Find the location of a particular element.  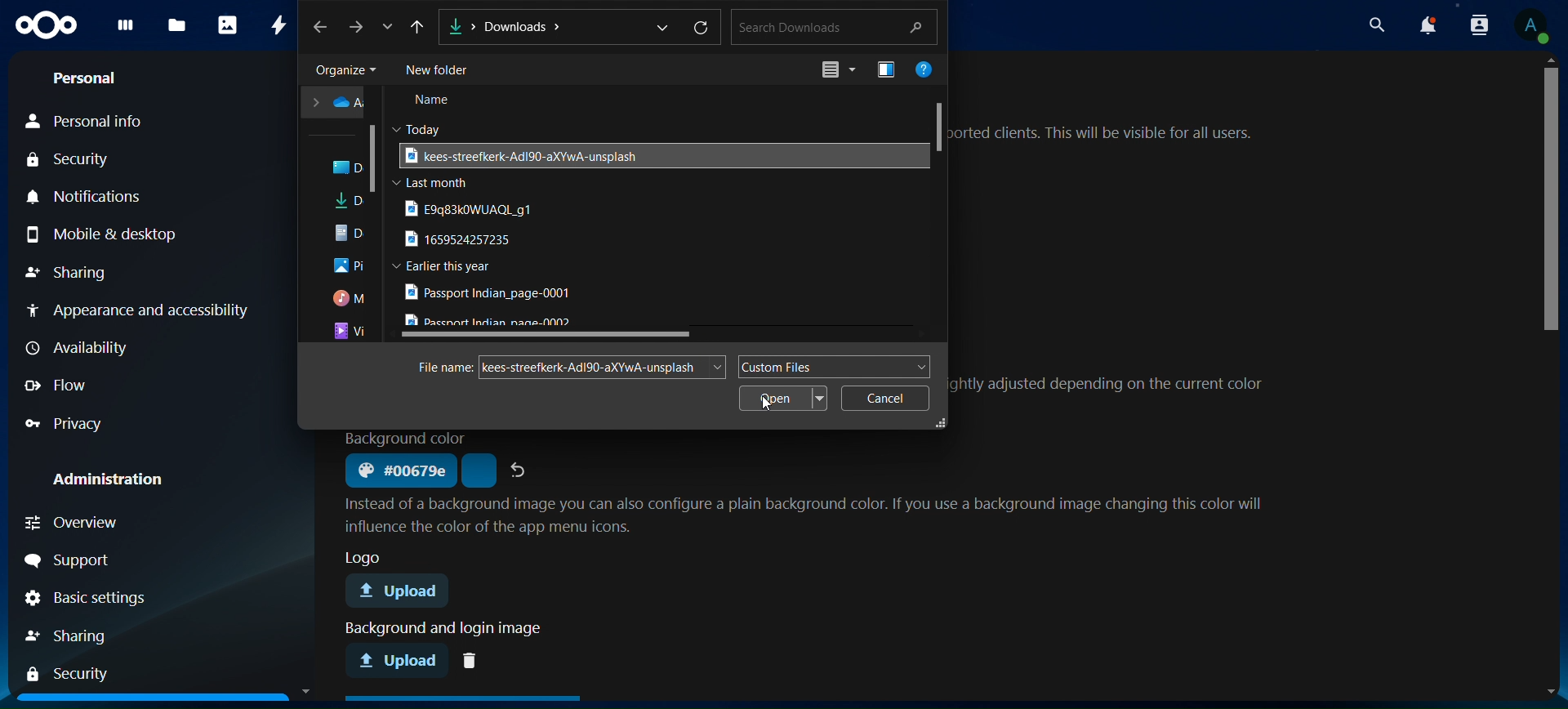

profile is located at coordinates (1533, 29).